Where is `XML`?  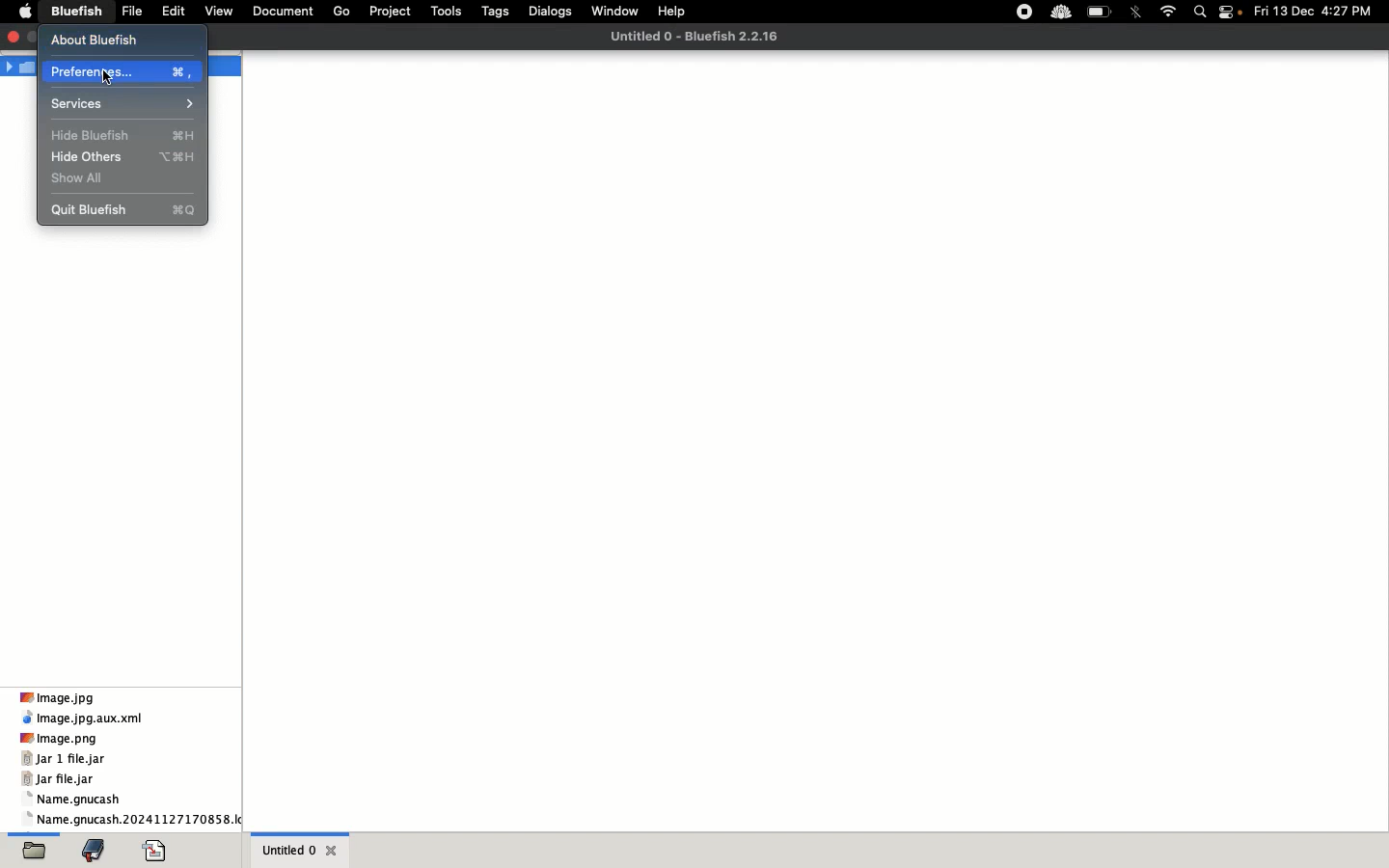 XML is located at coordinates (84, 719).